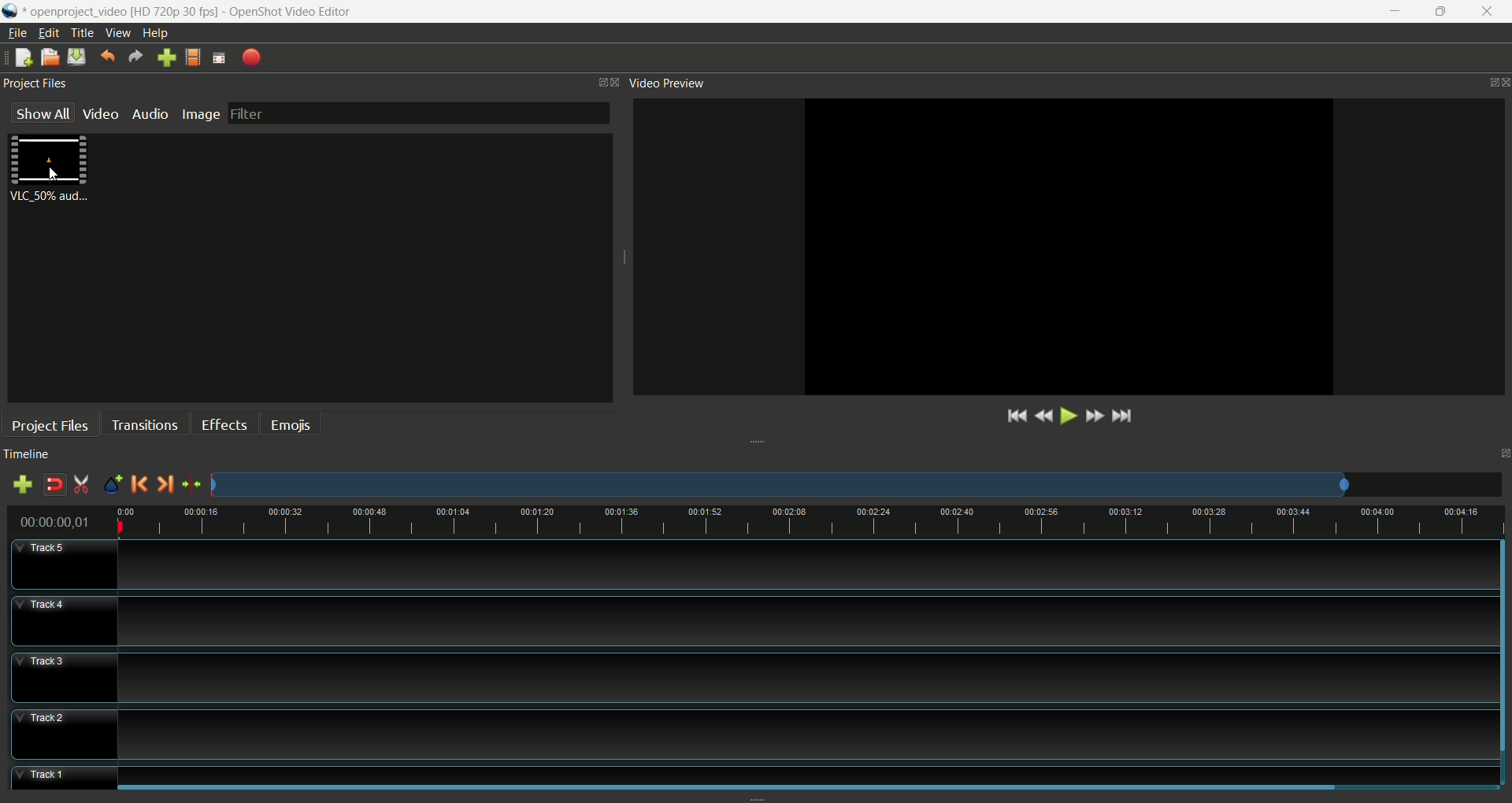 The width and height of the screenshot is (1512, 803). Describe the element at coordinates (1015, 417) in the screenshot. I see `jump to start` at that location.